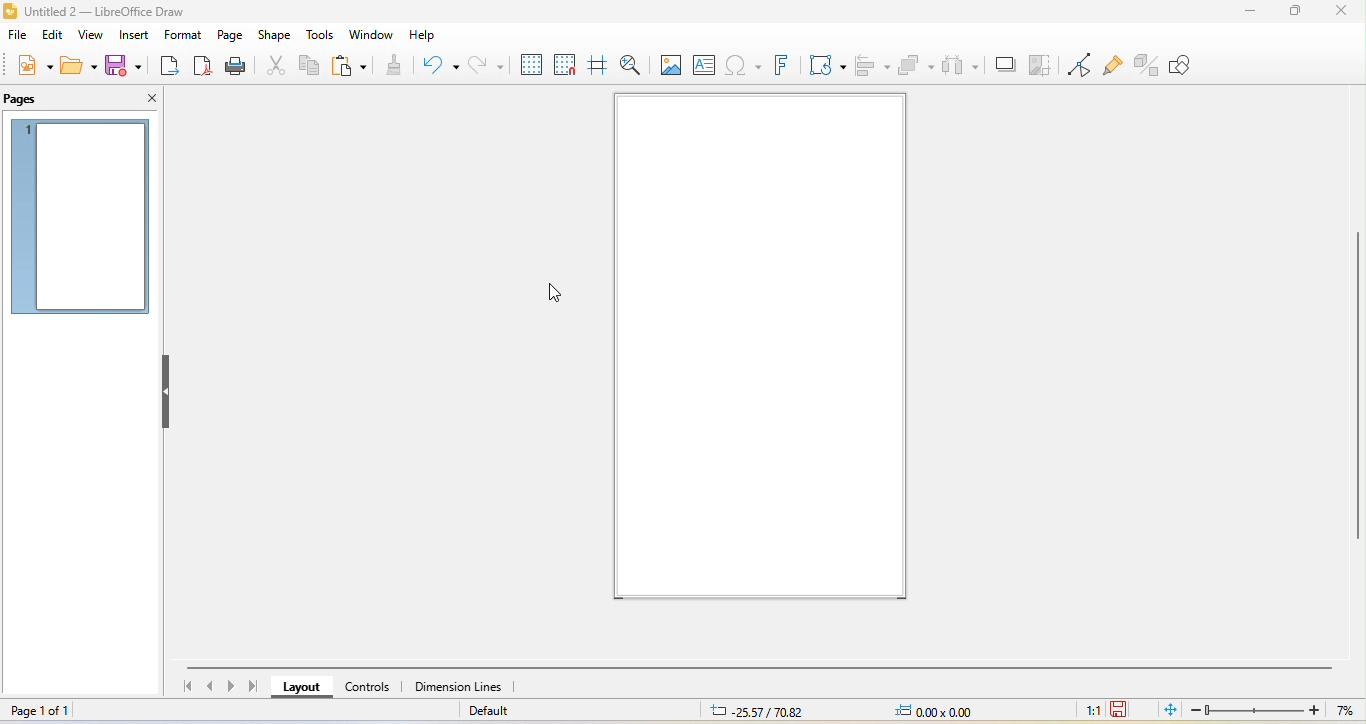  I want to click on edit, so click(55, 35).